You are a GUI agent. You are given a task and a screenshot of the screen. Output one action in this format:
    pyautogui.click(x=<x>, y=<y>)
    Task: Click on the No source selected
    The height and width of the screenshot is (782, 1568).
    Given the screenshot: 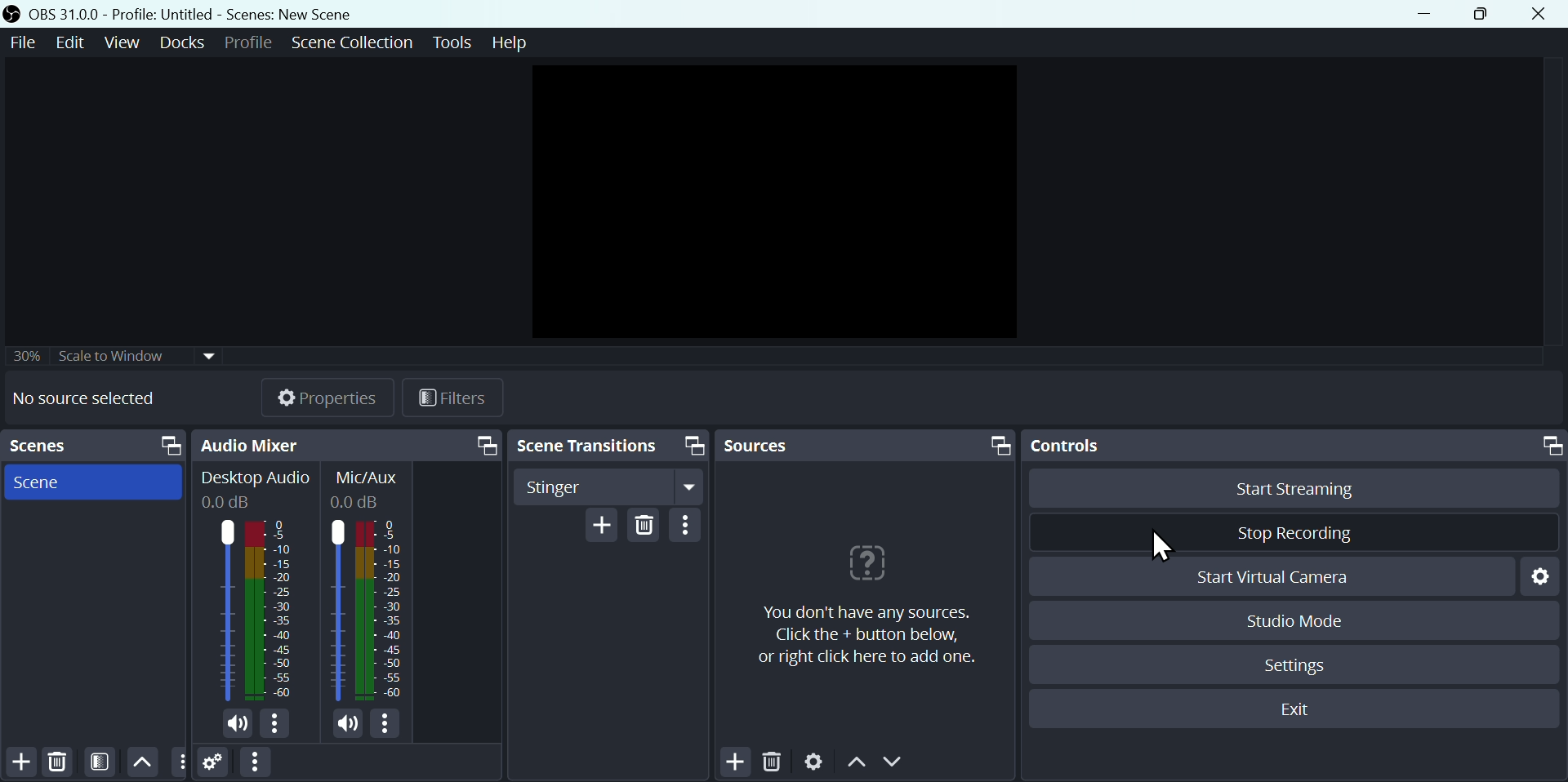 What is the action you would take?
    pyautogui.click(x=95, y=398)
    